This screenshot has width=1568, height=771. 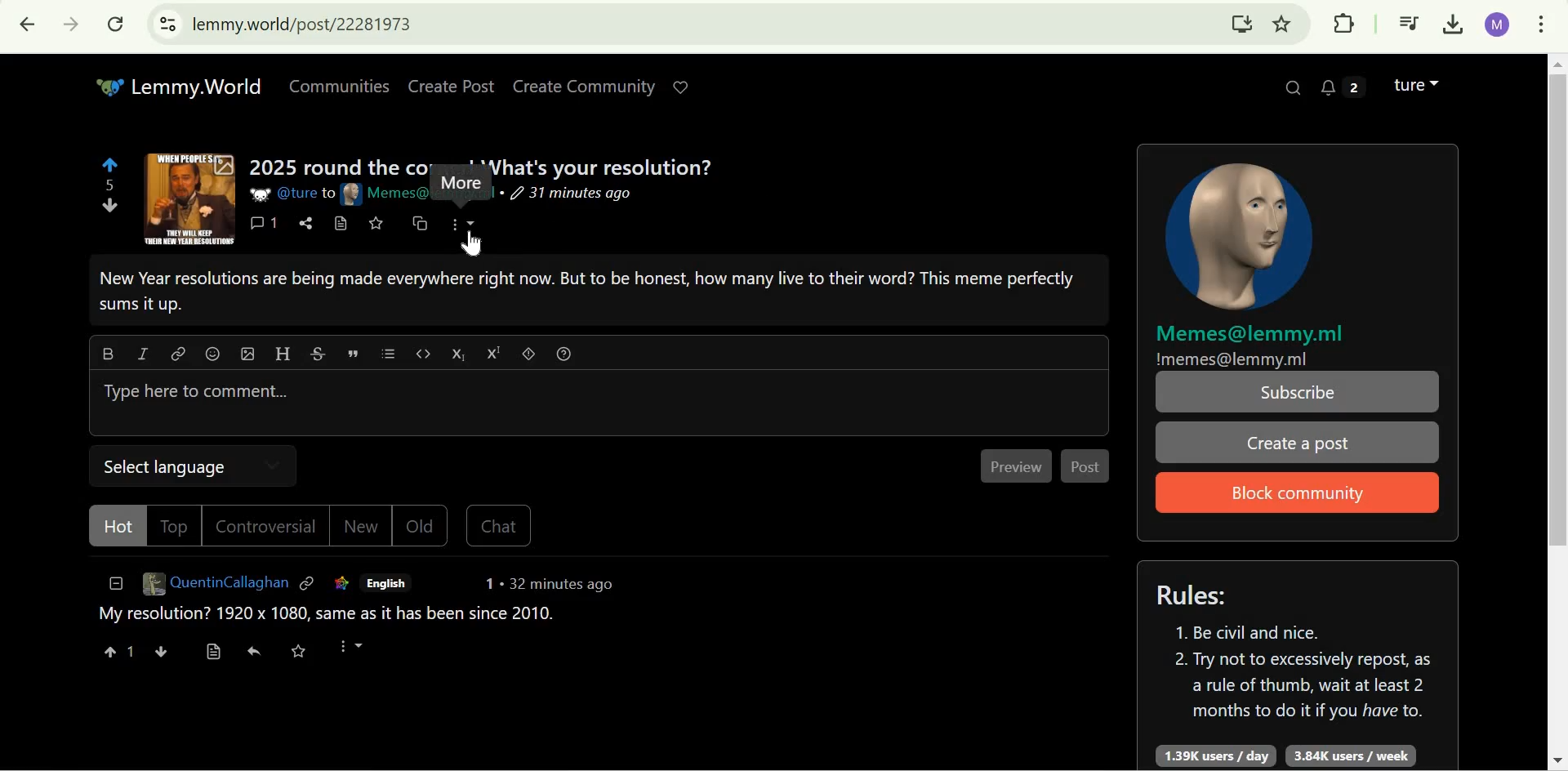 I want to click on italic, so click(x=144, y=352).